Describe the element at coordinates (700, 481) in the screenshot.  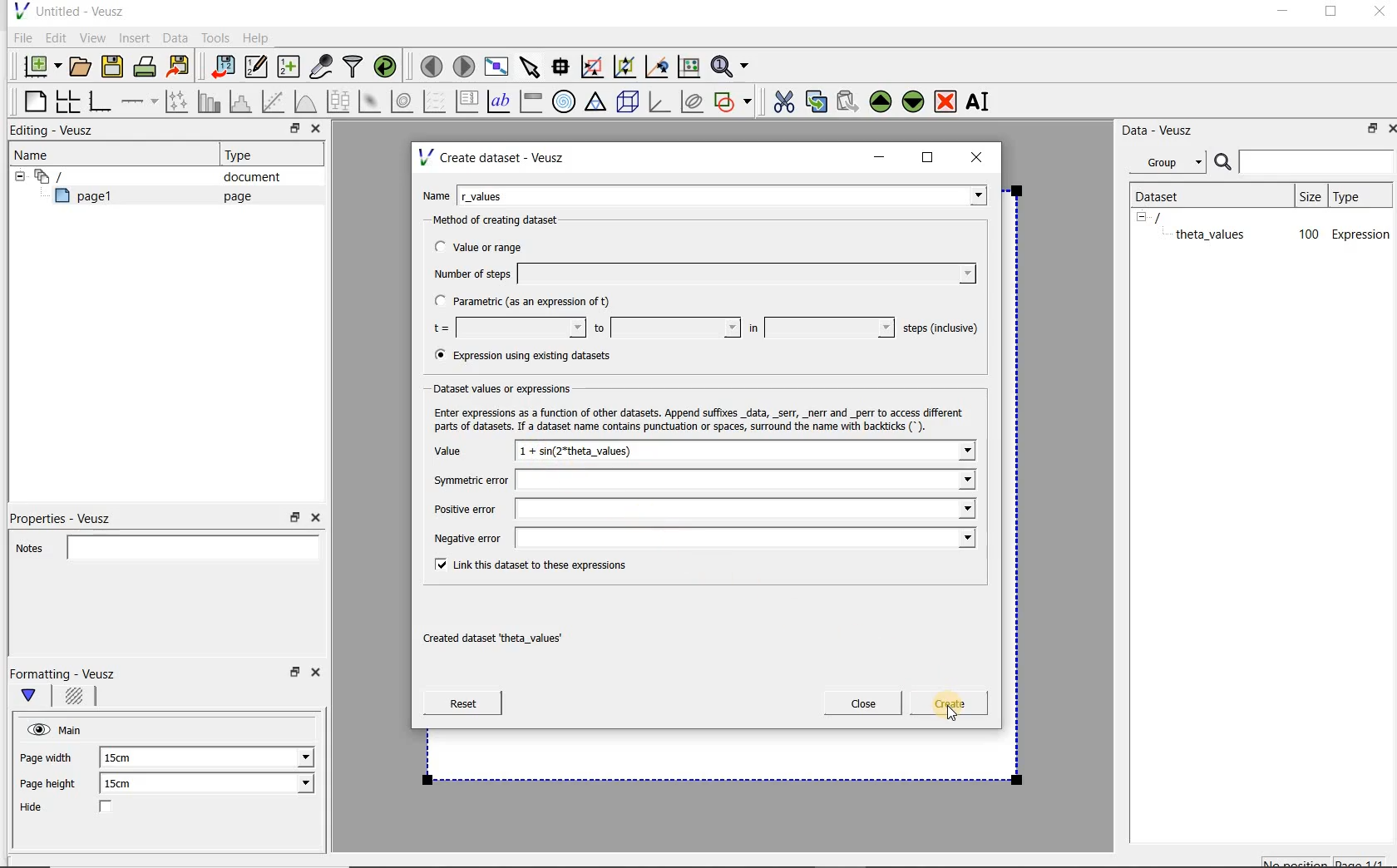
I see `Symmetric error` at that location.